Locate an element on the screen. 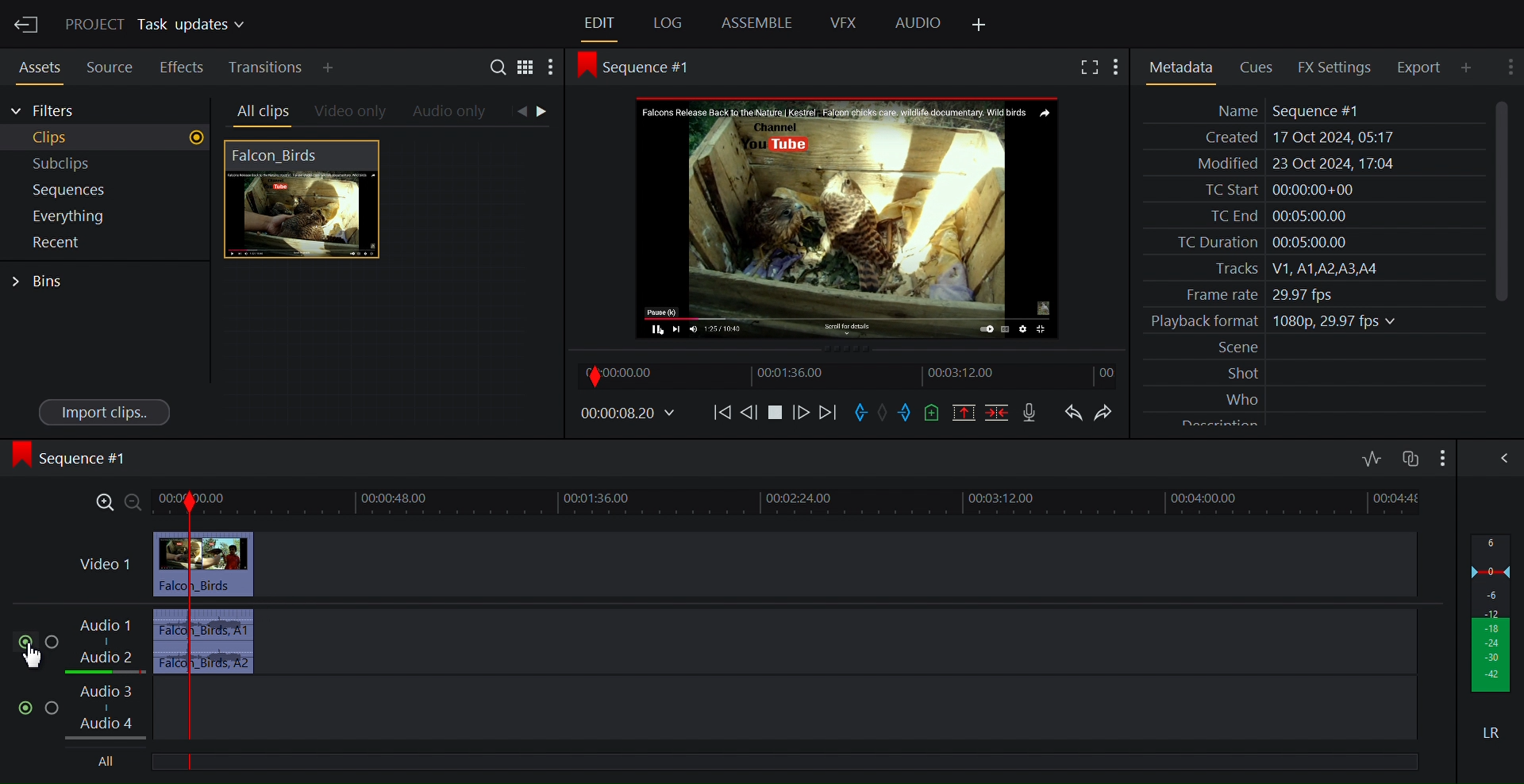 The width and height of the screenshot is (1524, 784). Zoom in is located at coordinates (99, 504).